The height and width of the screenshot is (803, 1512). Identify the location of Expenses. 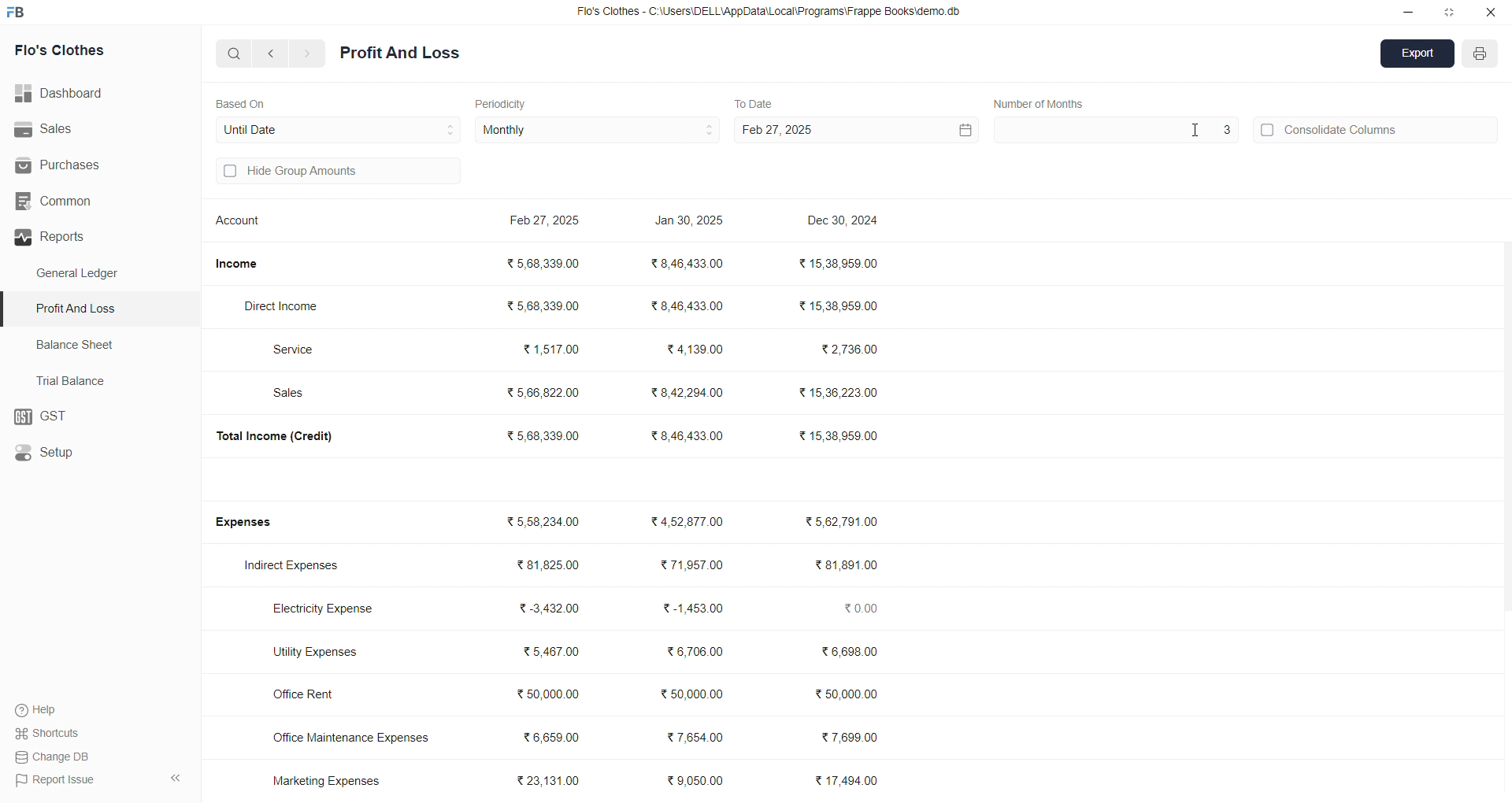
(254, 523).